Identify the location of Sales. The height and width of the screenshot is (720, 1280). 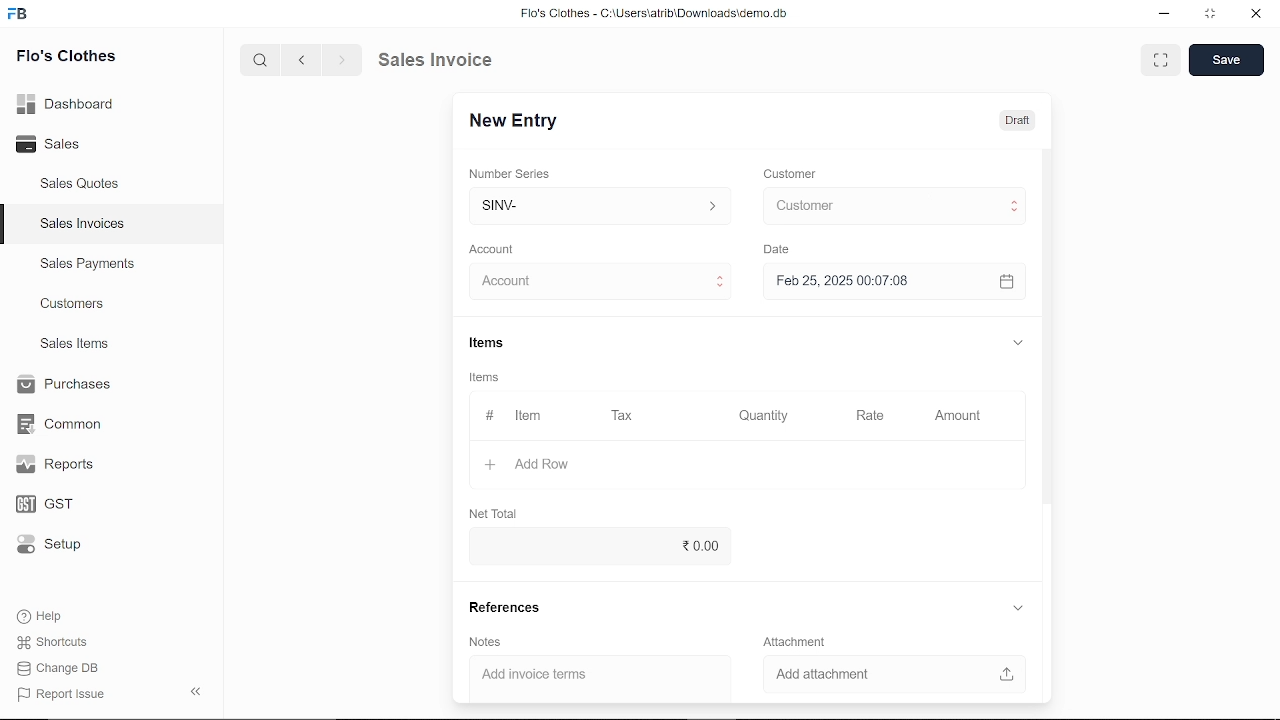
(57, 142).